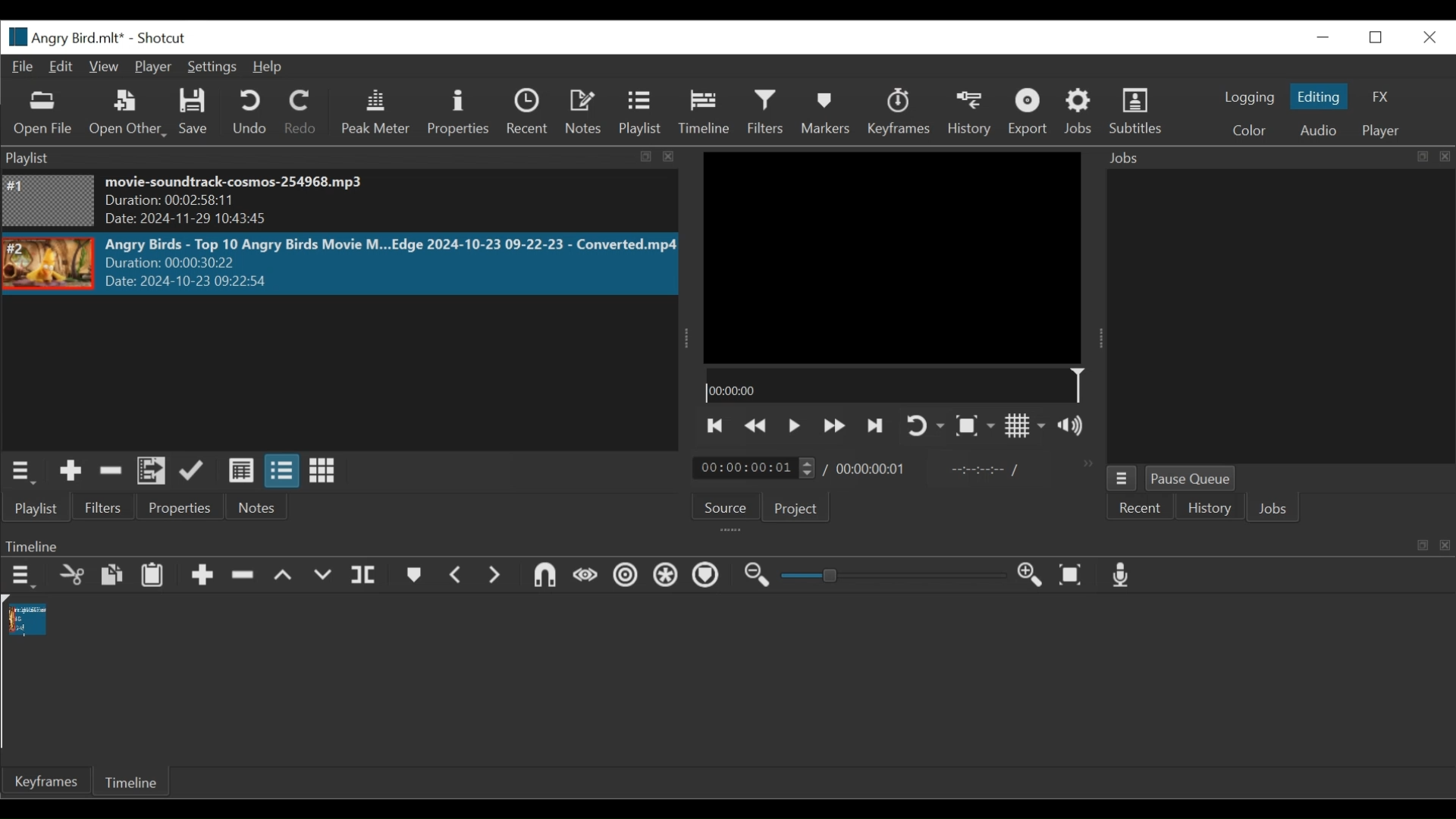 Image resolution: width=1456 pixels, height=819 pixels. I want to click on Color, so click(1250, 131).